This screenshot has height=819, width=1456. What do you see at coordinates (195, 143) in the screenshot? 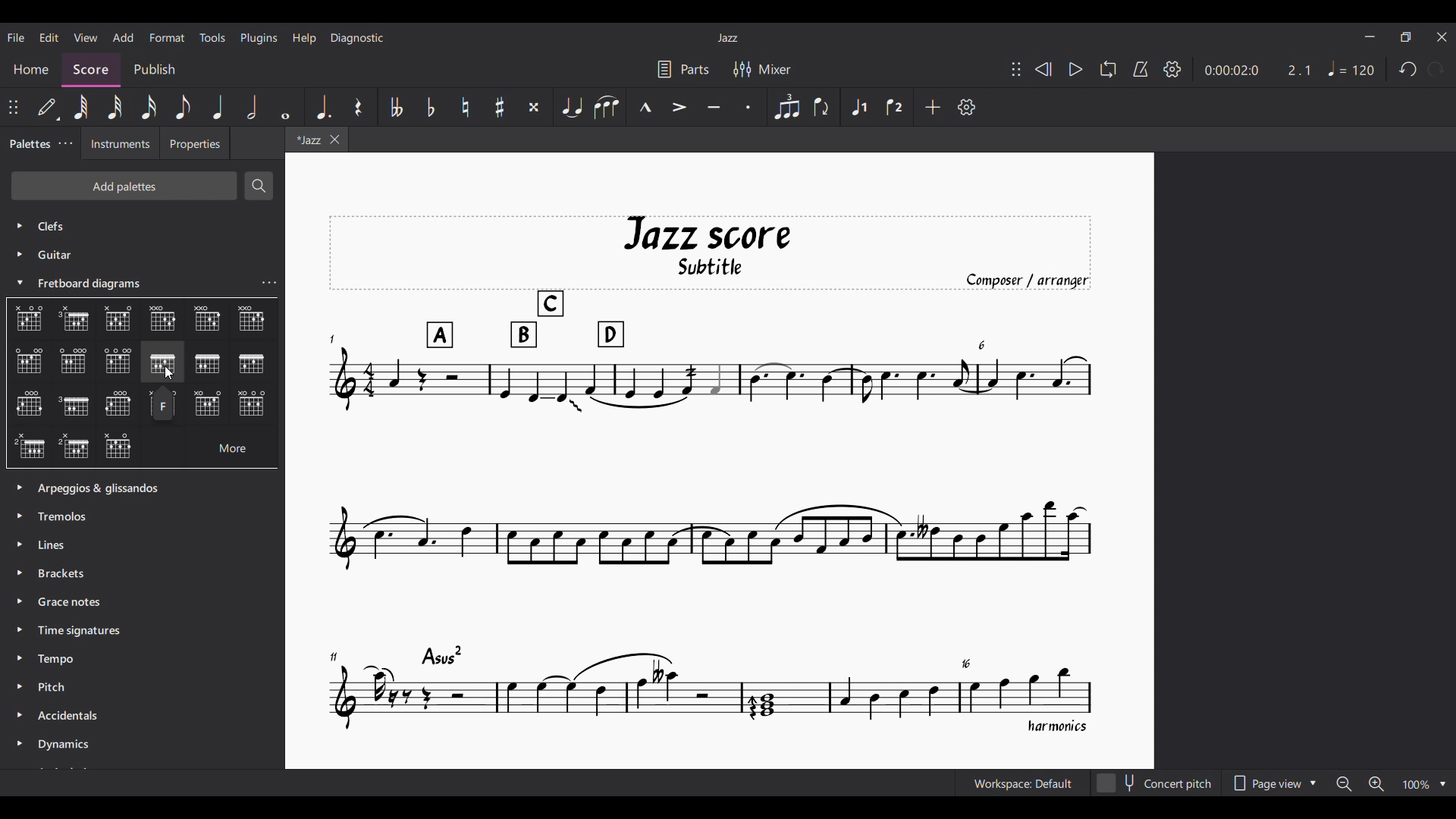
I see `Properties` at bounding box center [195, 143].